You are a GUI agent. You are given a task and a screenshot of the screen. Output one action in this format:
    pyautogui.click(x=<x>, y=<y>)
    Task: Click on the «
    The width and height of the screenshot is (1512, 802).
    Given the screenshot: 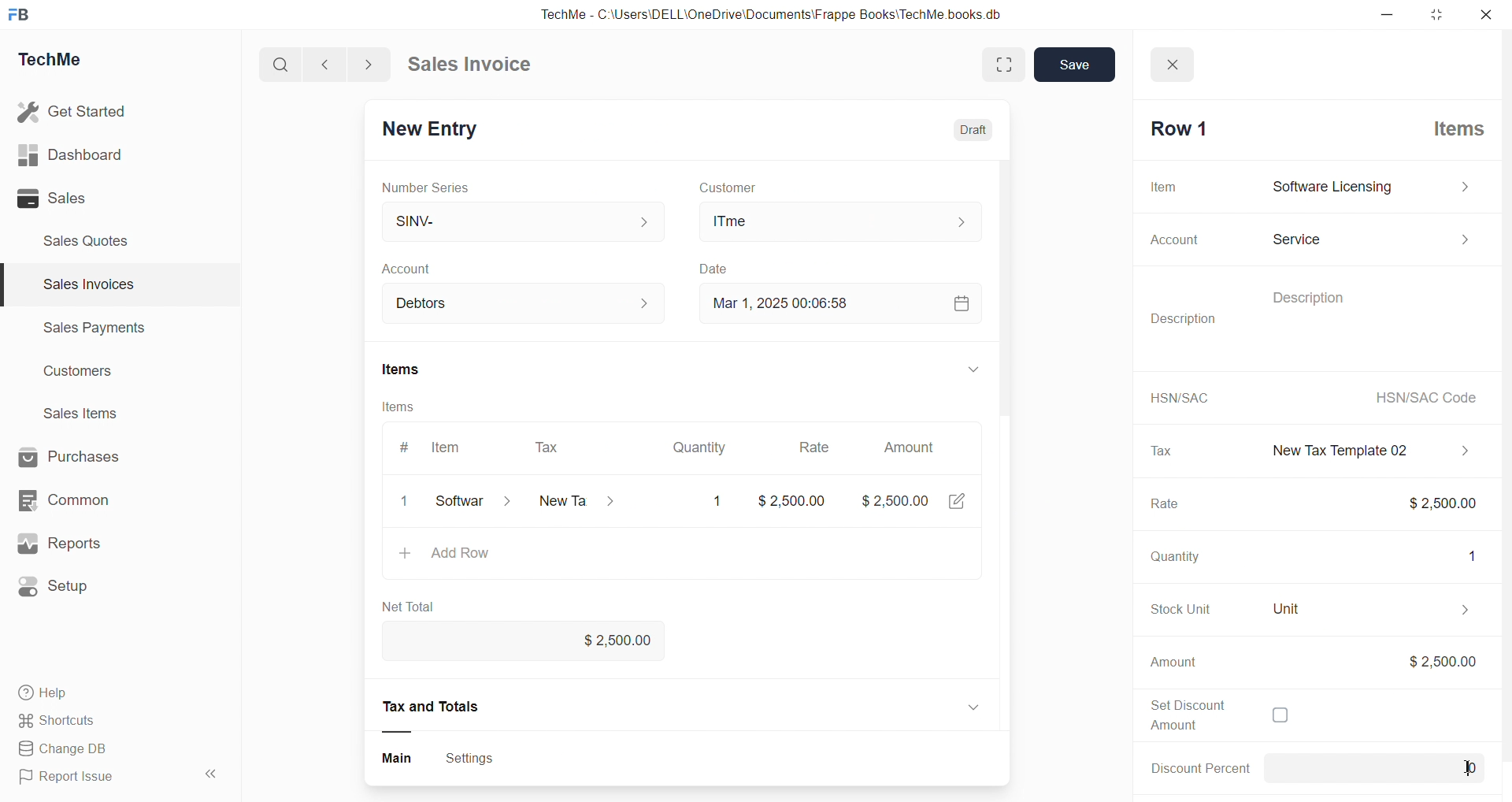 What is the action you would take?
    pyautogui.click(x=212, y=771)
    